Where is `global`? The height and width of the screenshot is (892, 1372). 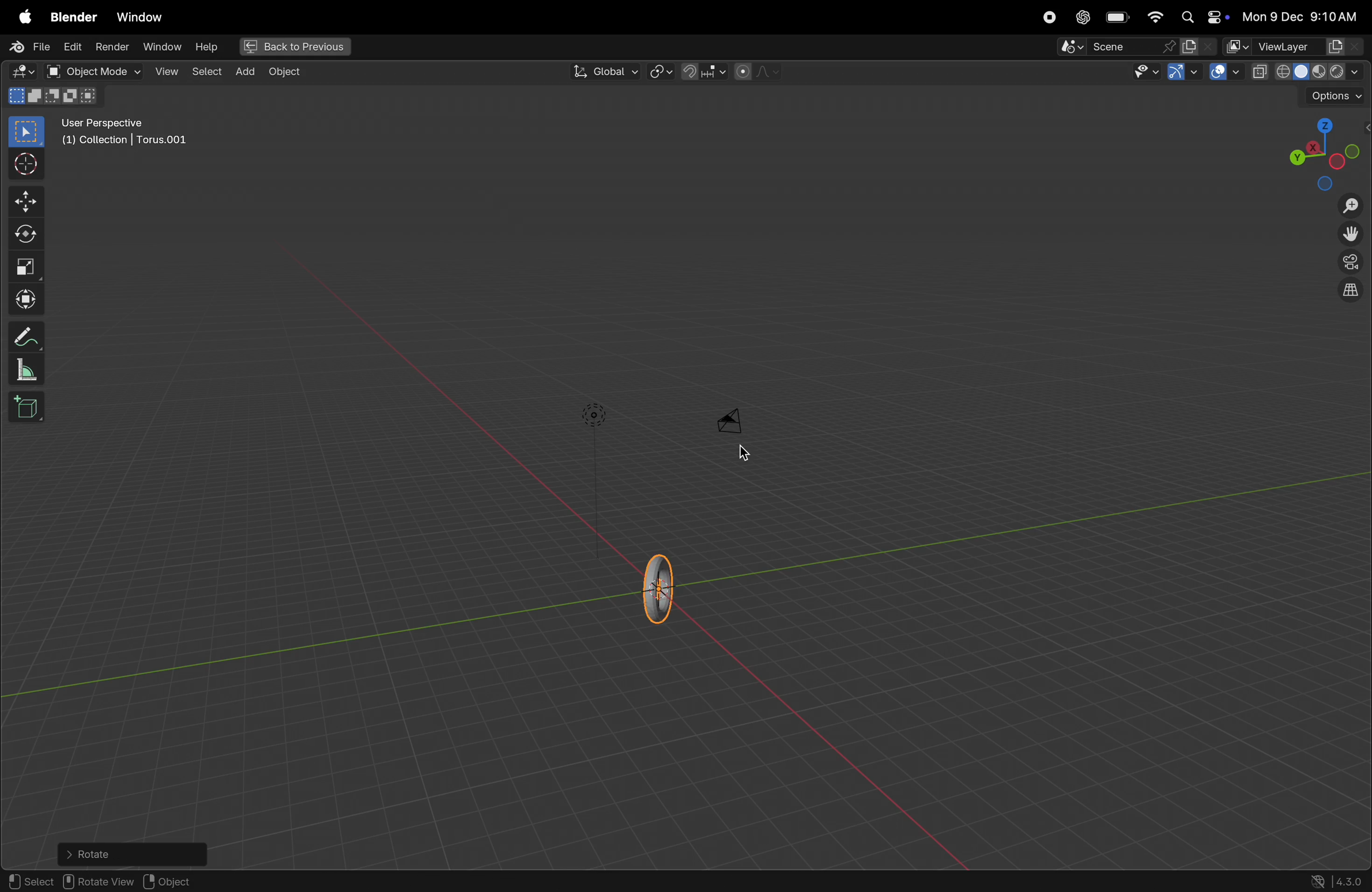 global is located at coordinates (602, 72).